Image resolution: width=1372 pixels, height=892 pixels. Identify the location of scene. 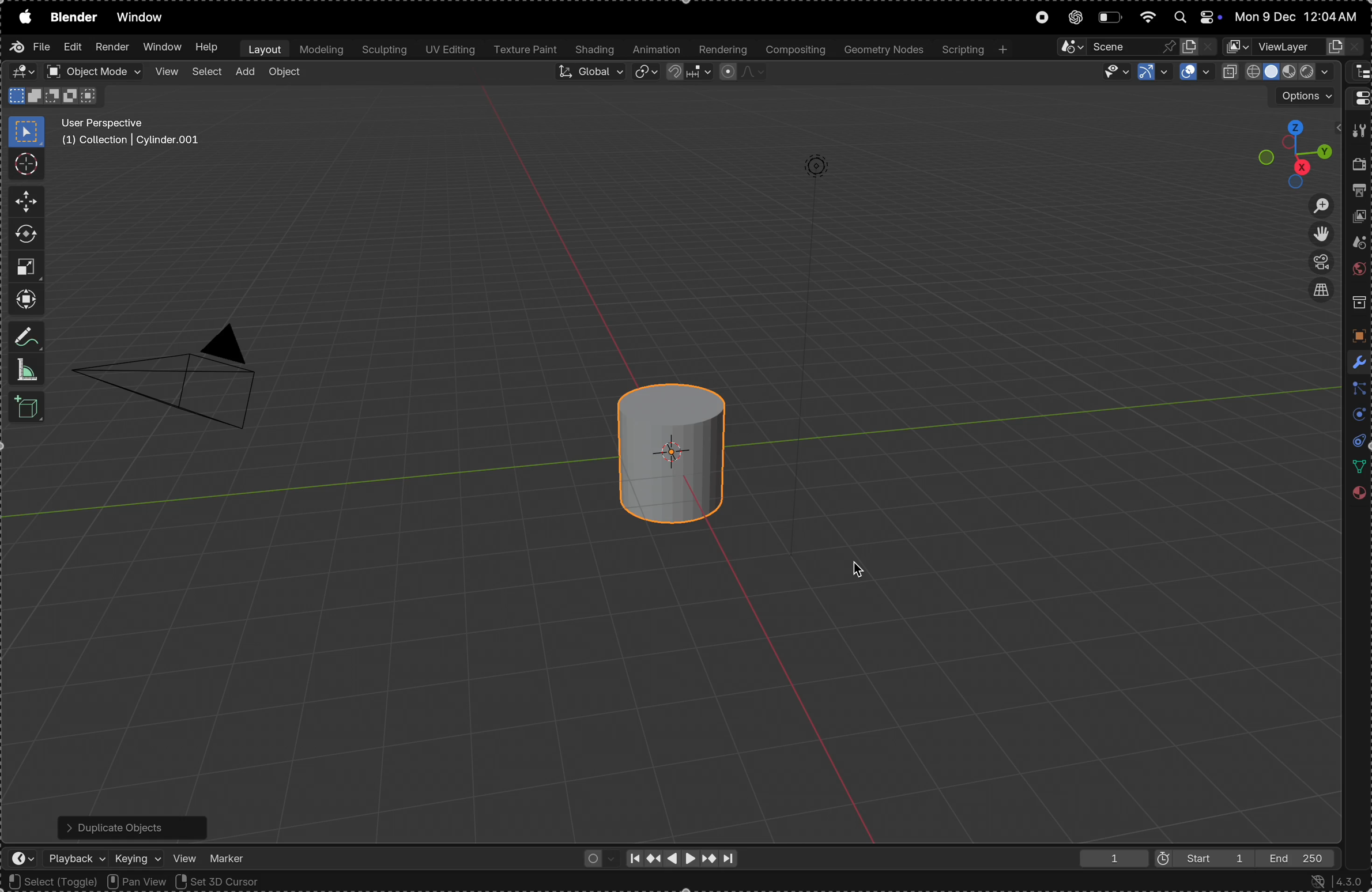
(1356, 245).